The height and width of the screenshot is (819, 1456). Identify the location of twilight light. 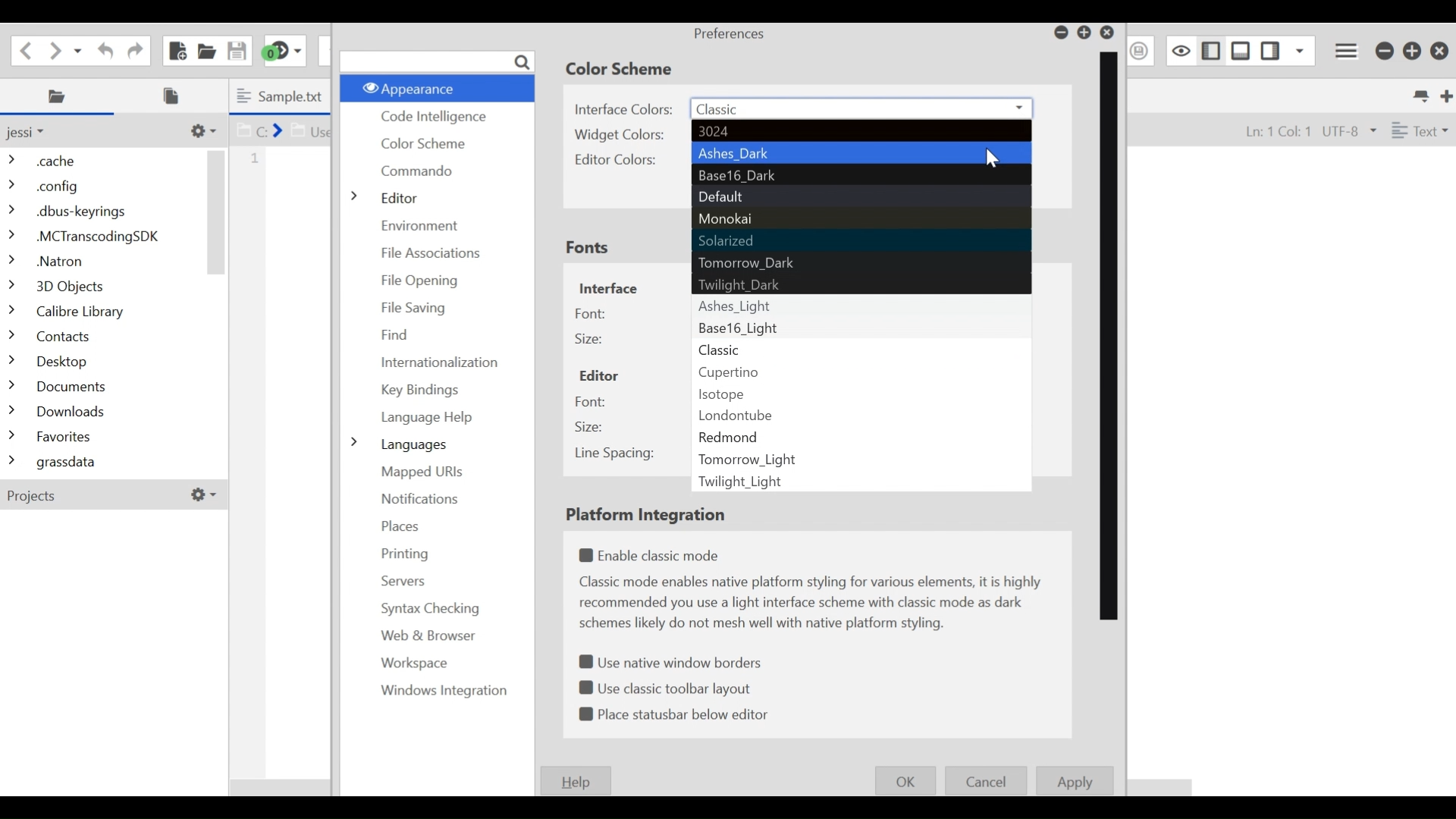
(862, 482).